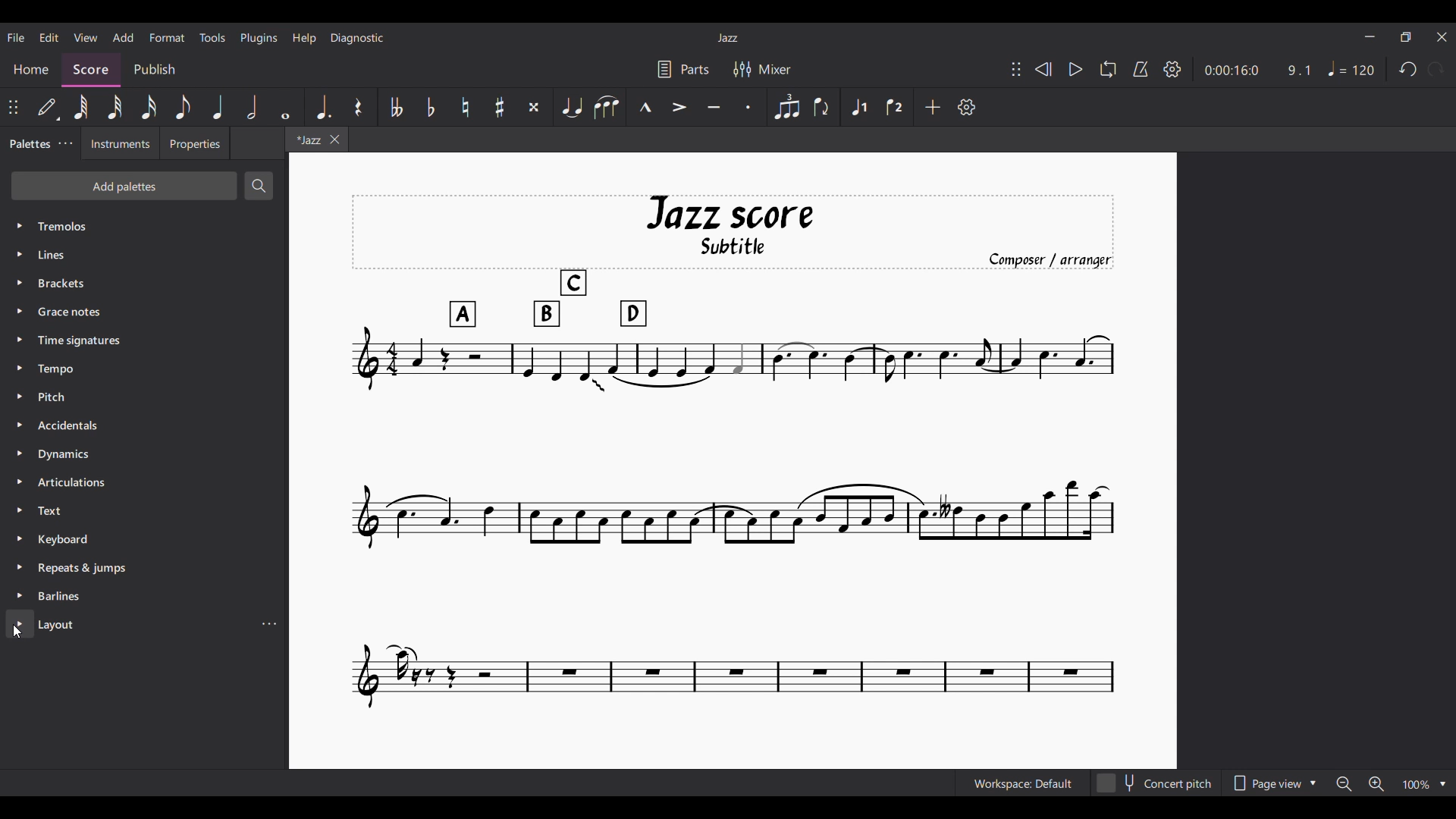 The width and height of the screenshot is (1456, 819). What do you see at coordinates (1043, 69) in the screenshot?
I see `Rewind` at bounding box center [1043, 69].